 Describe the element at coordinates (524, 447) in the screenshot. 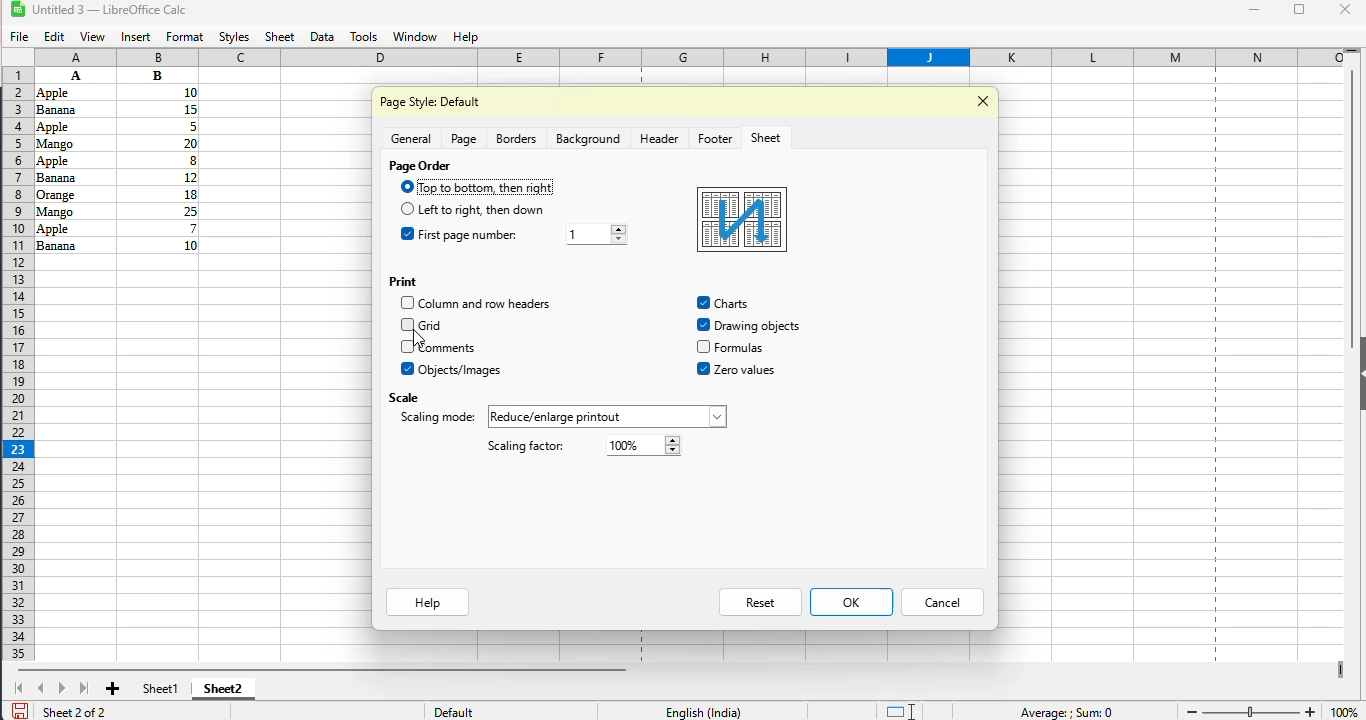

I see `scaling factor: 100%` at that location.